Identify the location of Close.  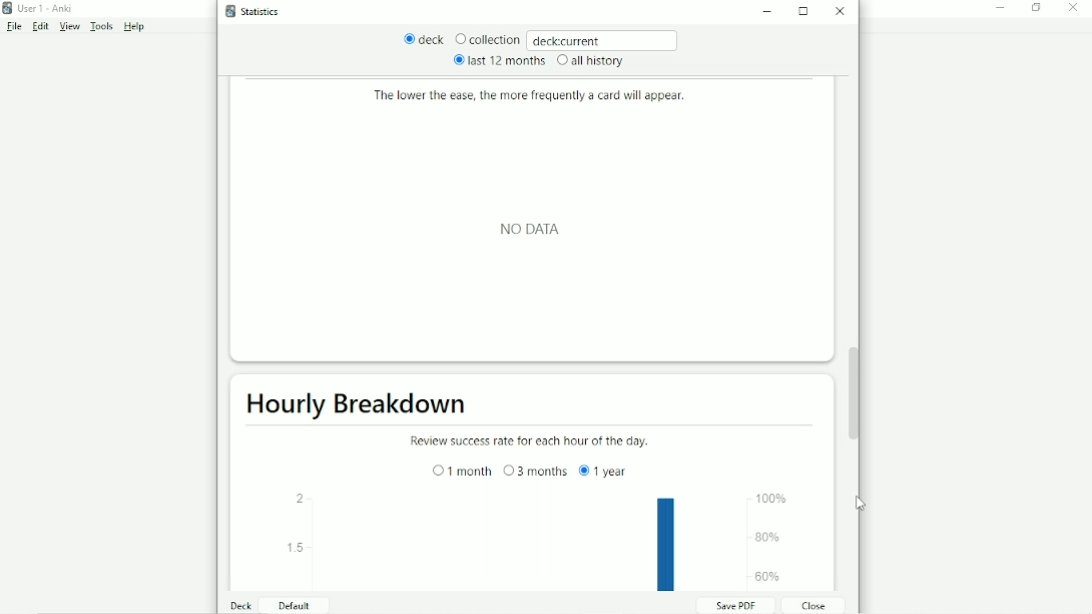
(842, 11).